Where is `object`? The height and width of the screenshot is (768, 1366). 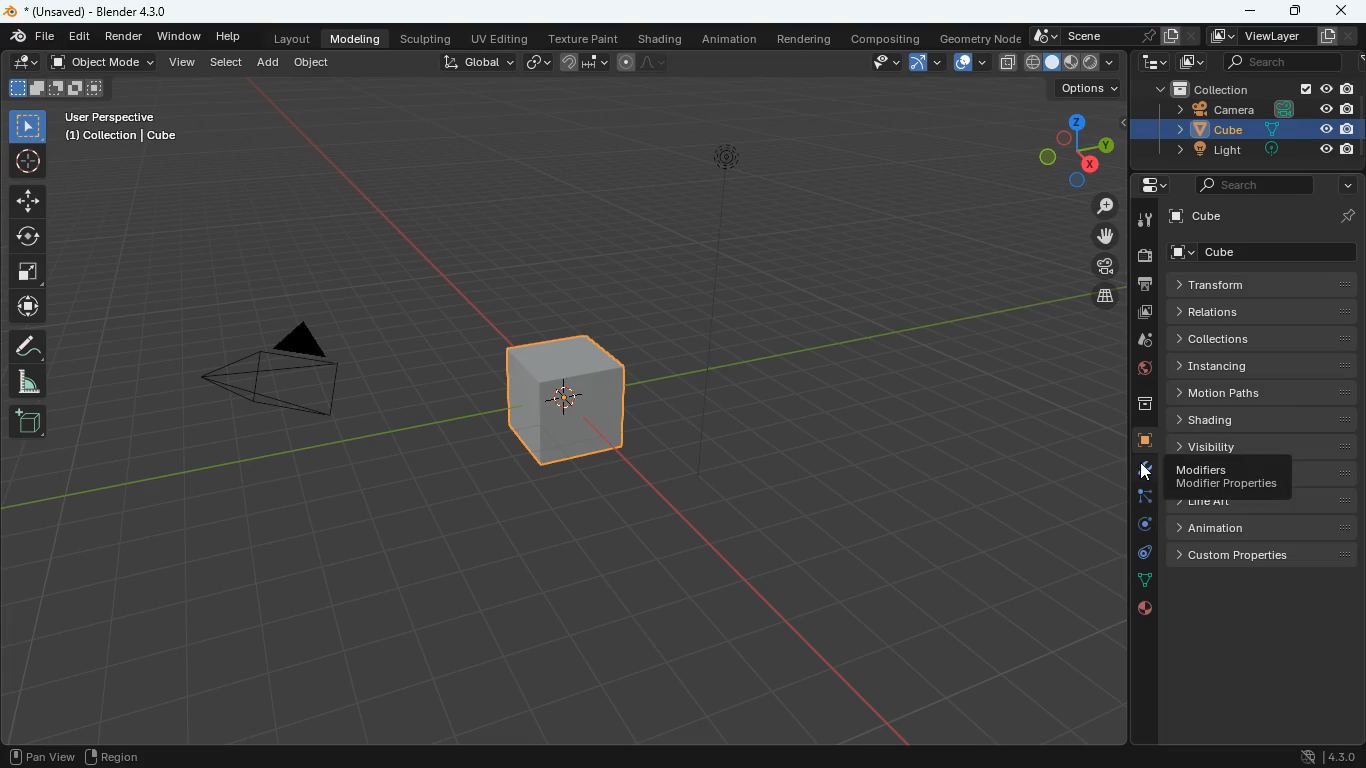 object is located at coordinates (313, 61).